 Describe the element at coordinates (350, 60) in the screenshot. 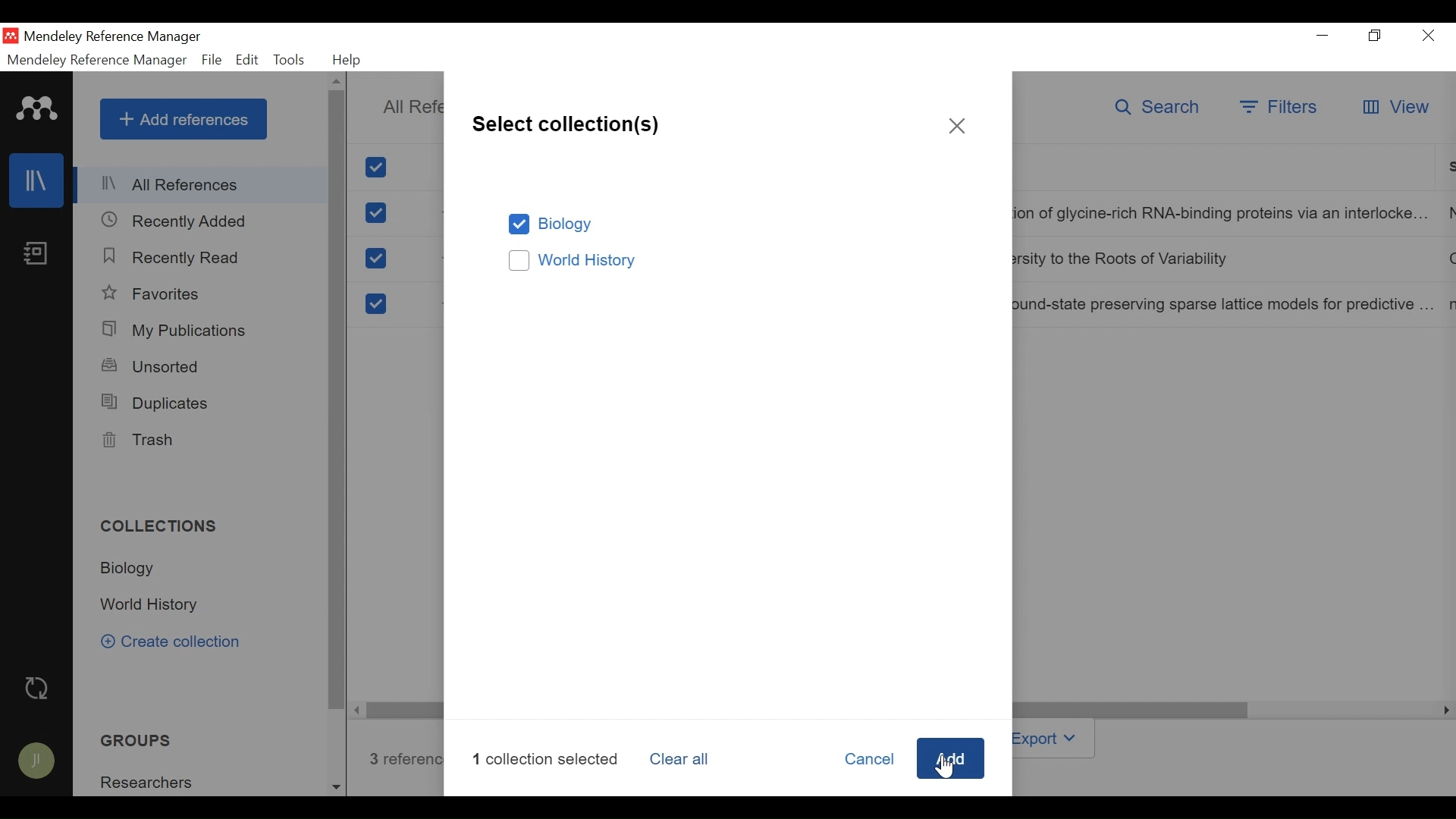

I see `Help` at that location.